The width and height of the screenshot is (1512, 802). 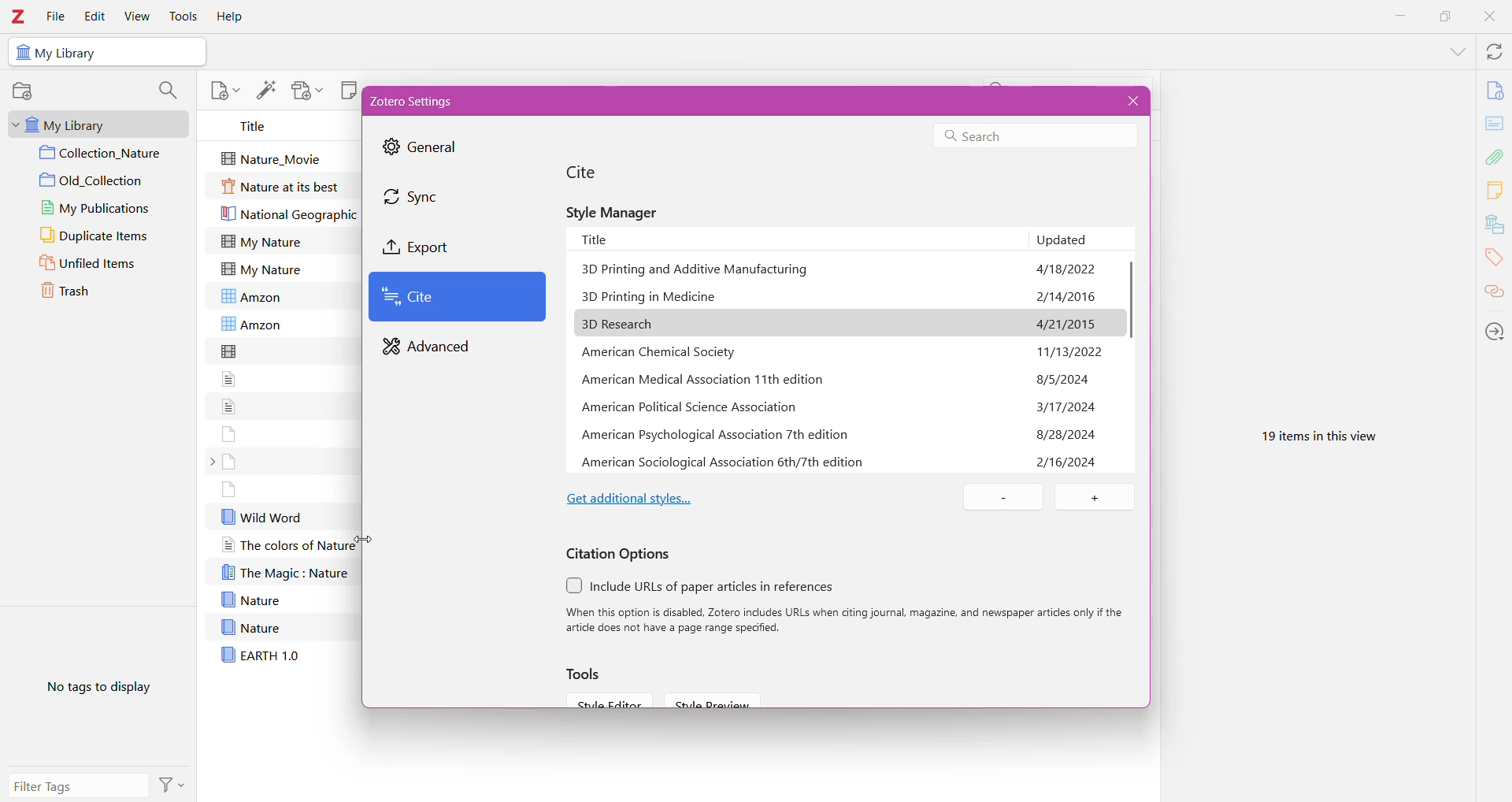 What do you see at coordinates (1130, 101) in the screenshot?
I see `Close` at bounding box center [1130, 101].